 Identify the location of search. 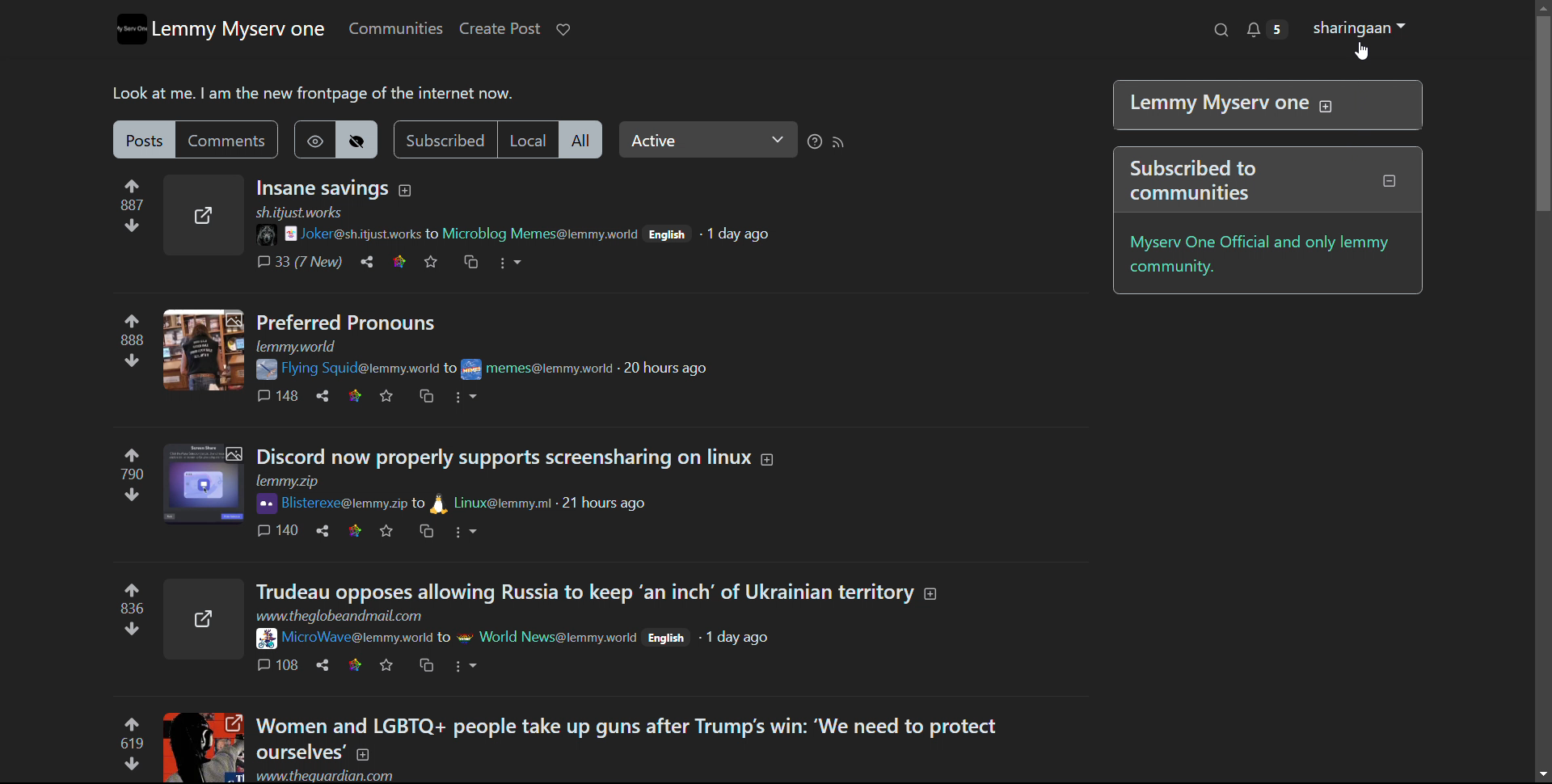
(1220, 30).